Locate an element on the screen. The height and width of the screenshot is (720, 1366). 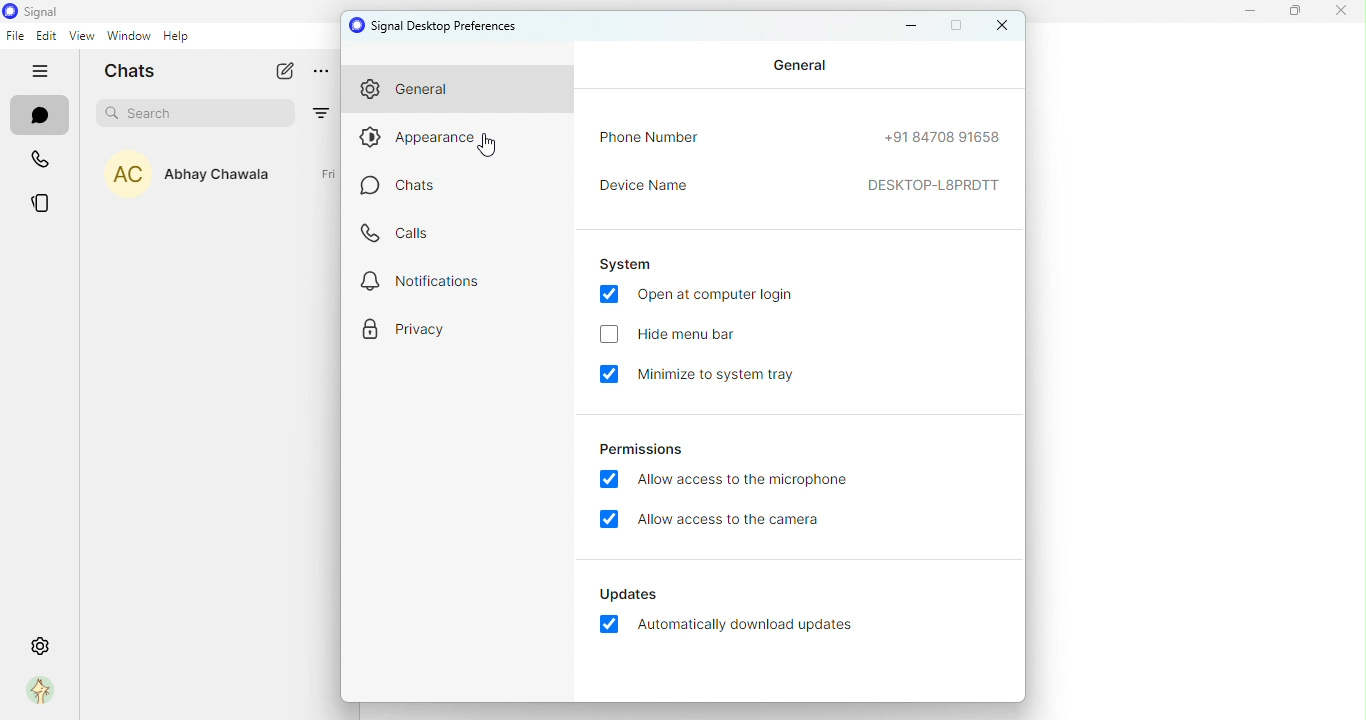
profile is located at coordinates (36, 692).